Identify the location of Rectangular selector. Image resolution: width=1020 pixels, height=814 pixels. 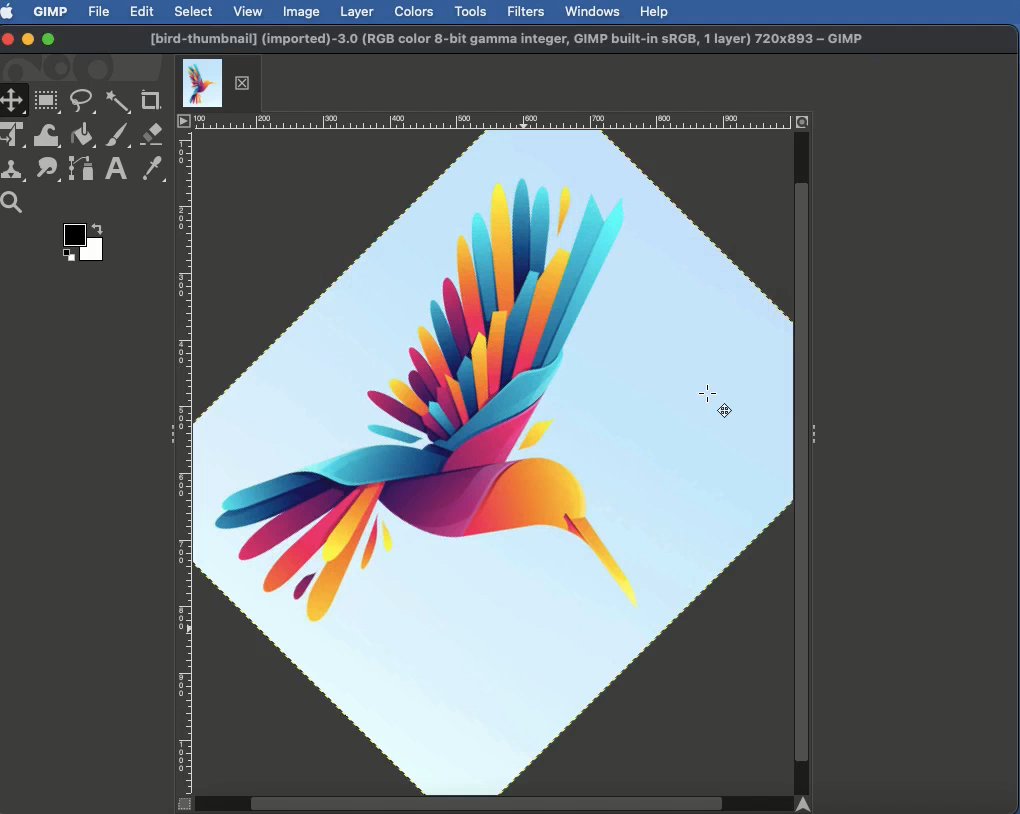
(47, 102).